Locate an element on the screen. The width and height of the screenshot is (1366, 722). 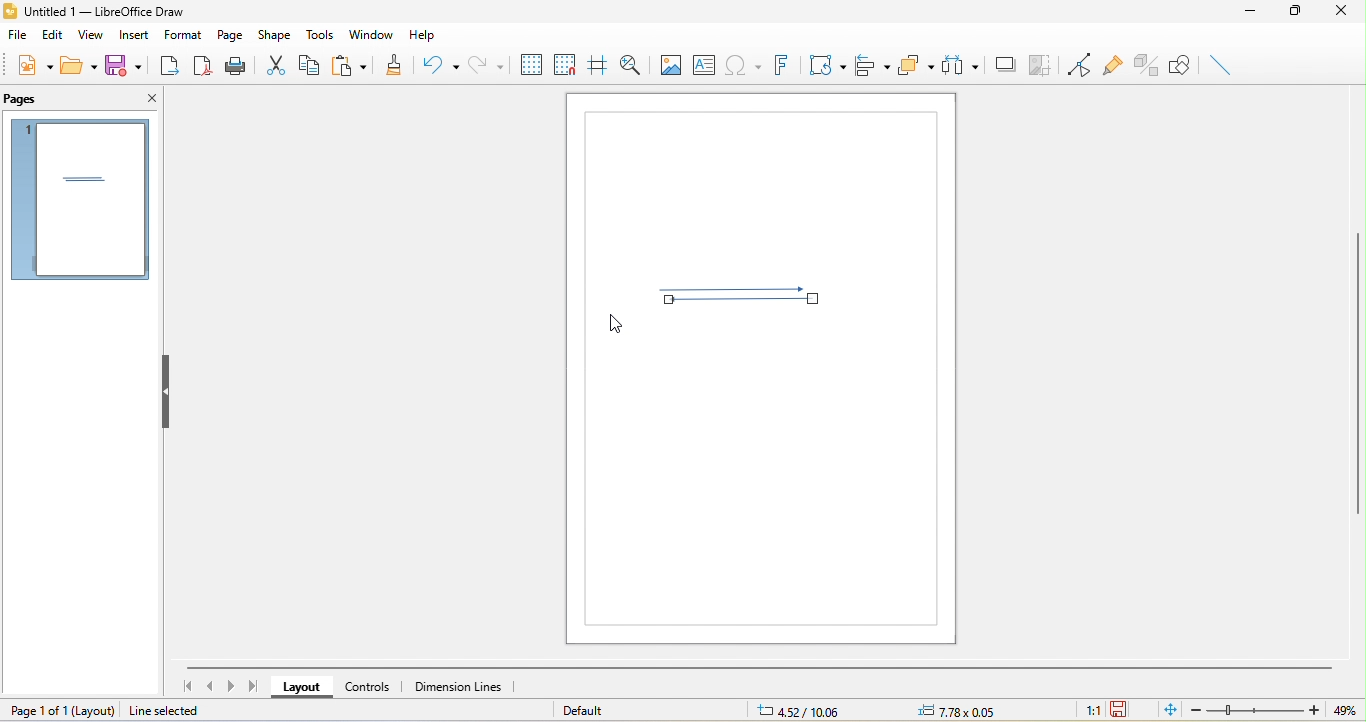
insert is located at coordinates (130, 37).